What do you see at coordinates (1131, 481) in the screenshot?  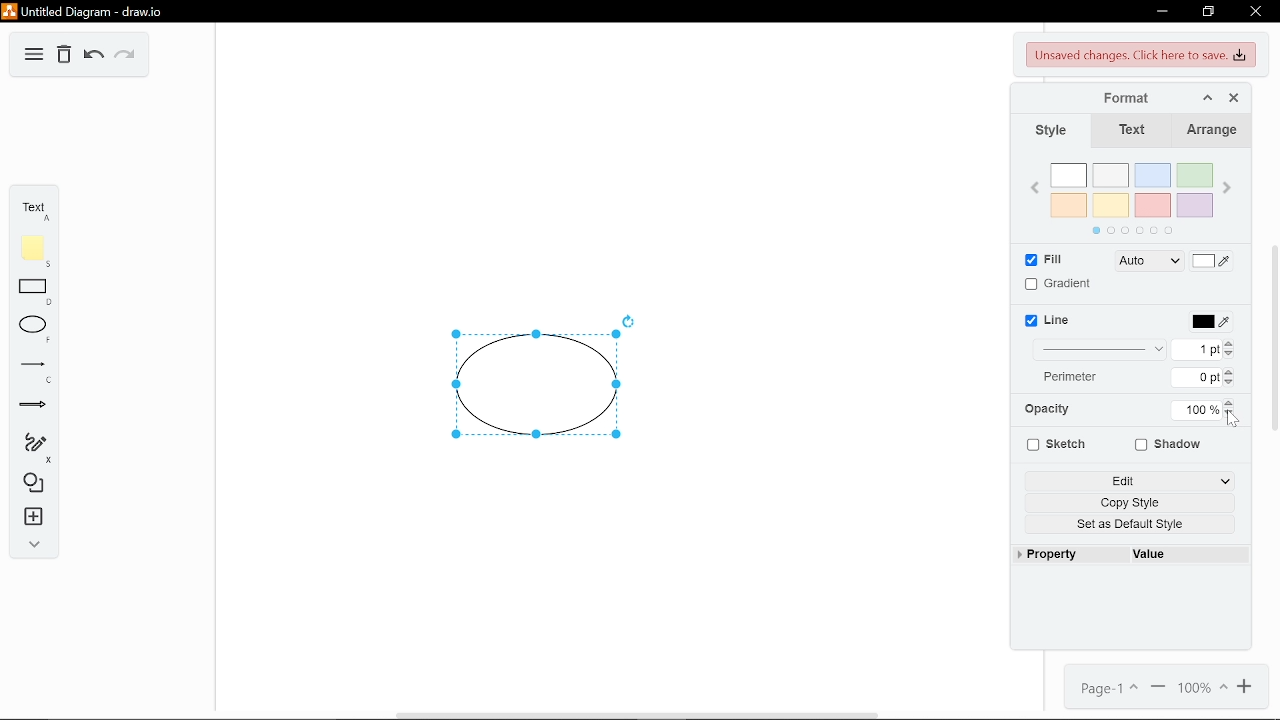 I see `Edit` at bounding box center [1131, 481].